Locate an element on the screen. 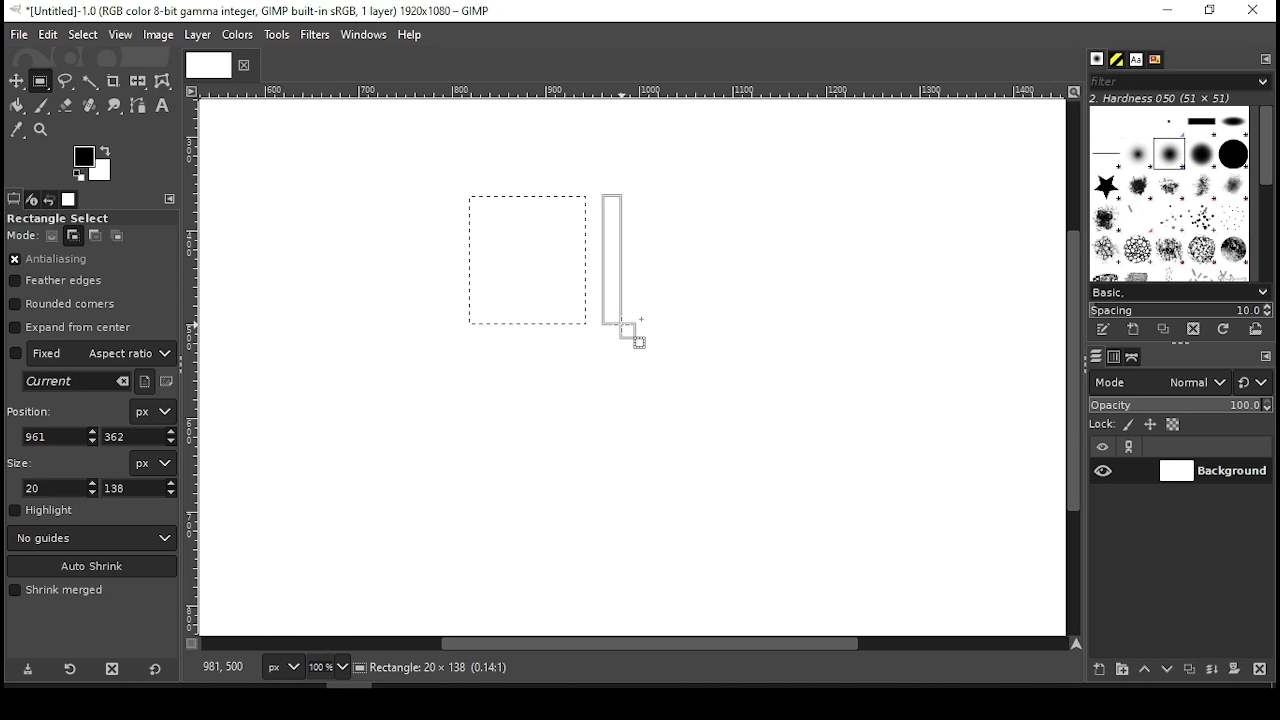 Image resolution: width=1280 pixels, height=720 pixels. help is located at coordinates (410, 36).